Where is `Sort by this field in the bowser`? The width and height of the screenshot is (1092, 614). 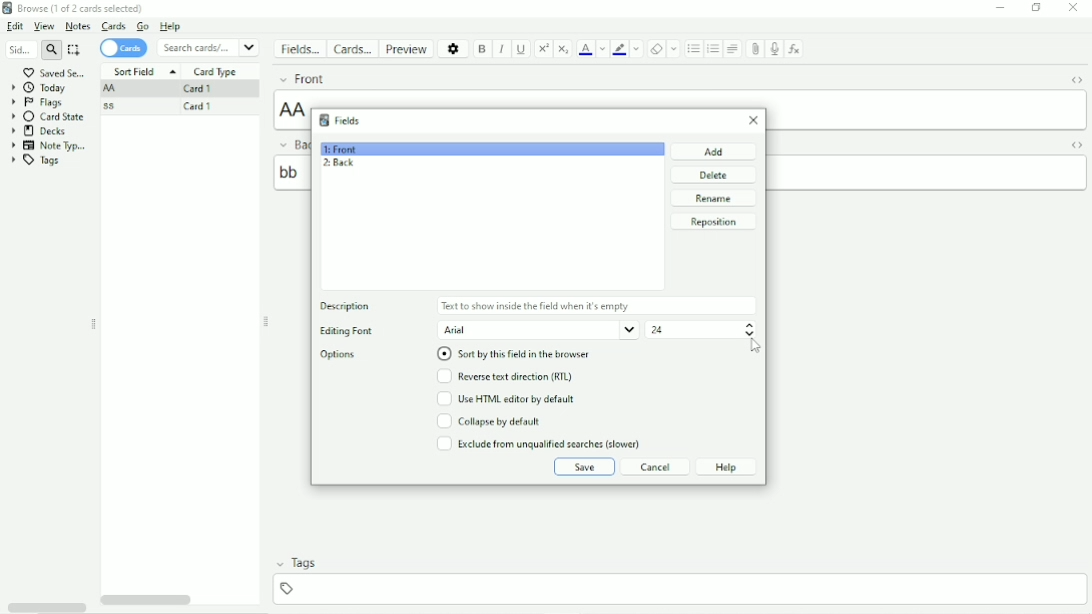
Sort by this field in the bowser is located at coordinates (521, 354).